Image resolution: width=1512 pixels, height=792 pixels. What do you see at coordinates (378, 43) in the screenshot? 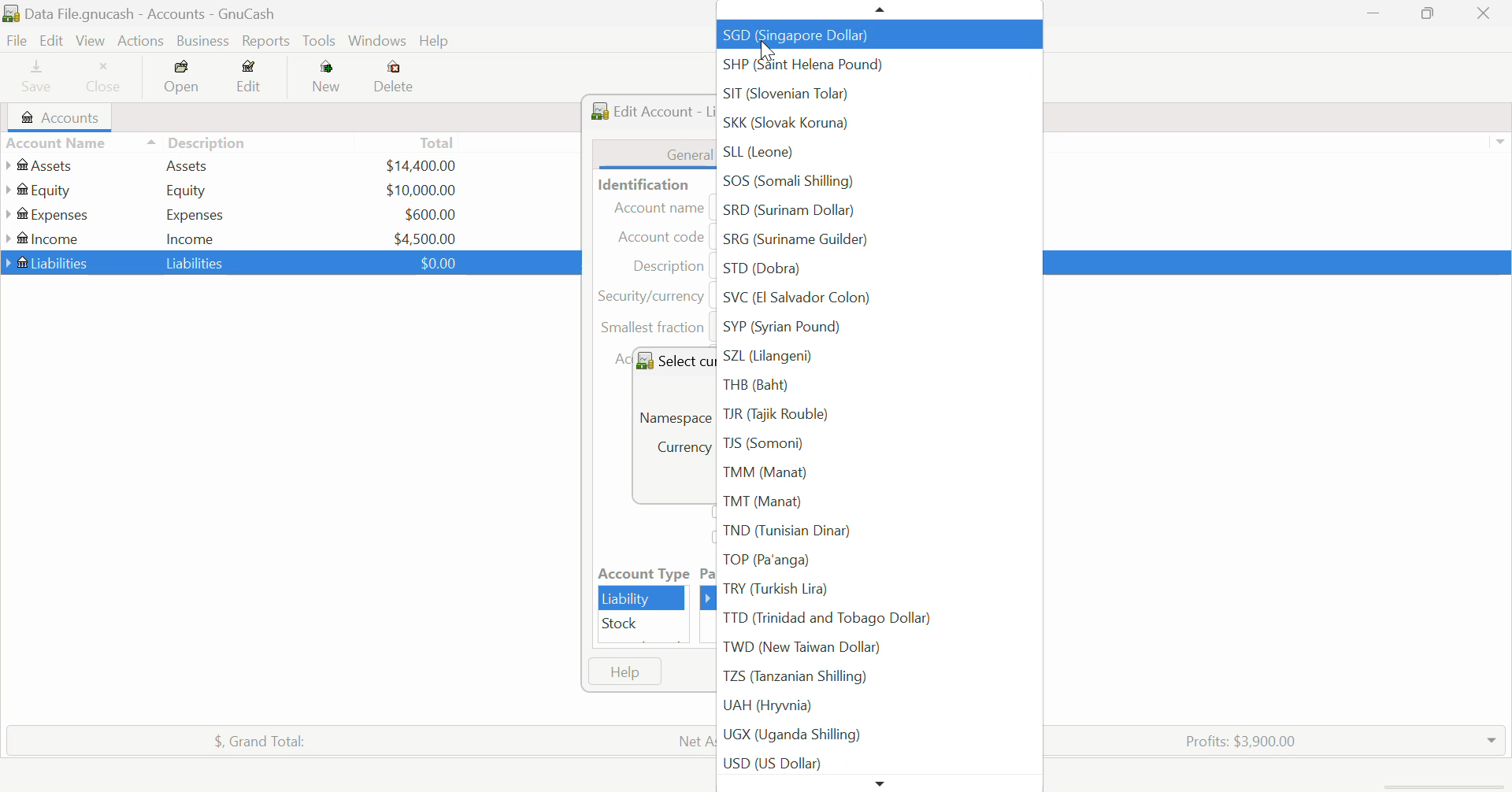
I see `Windows` at bounding box center [378, 43].